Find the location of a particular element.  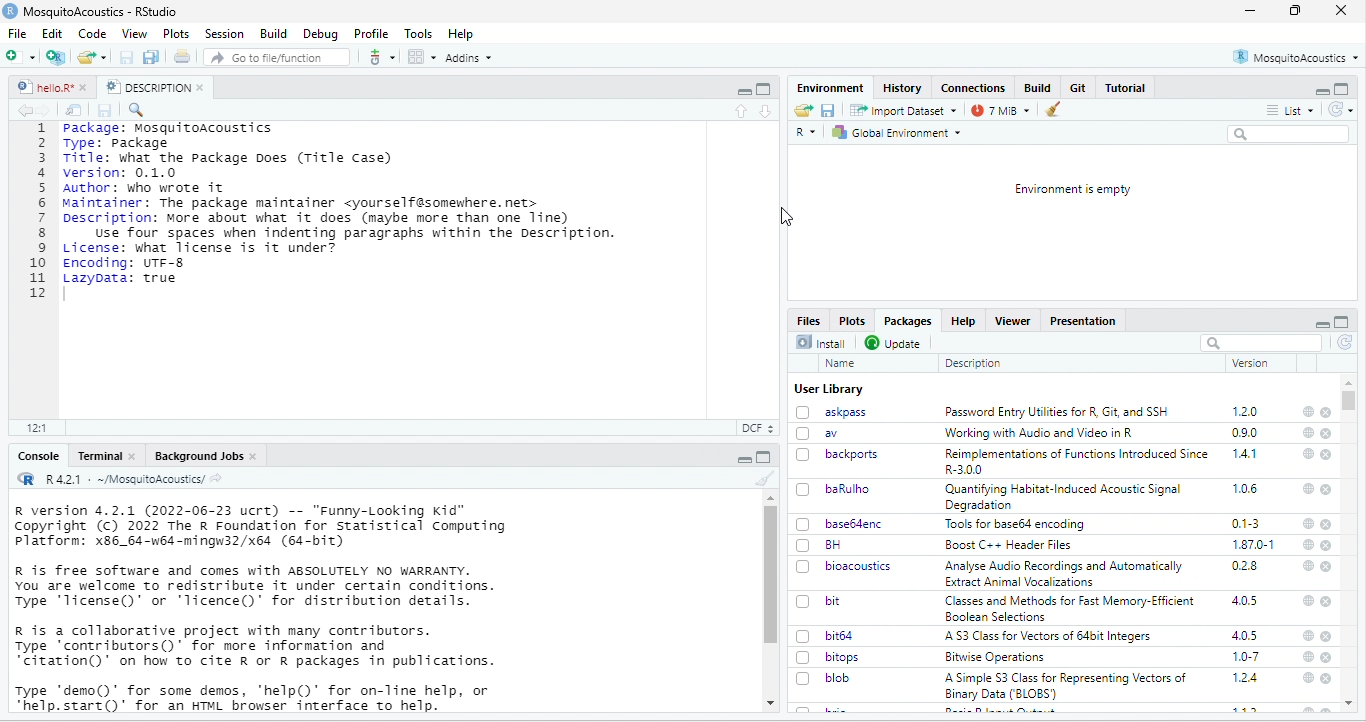

close is located at coordinates (1328, 490).